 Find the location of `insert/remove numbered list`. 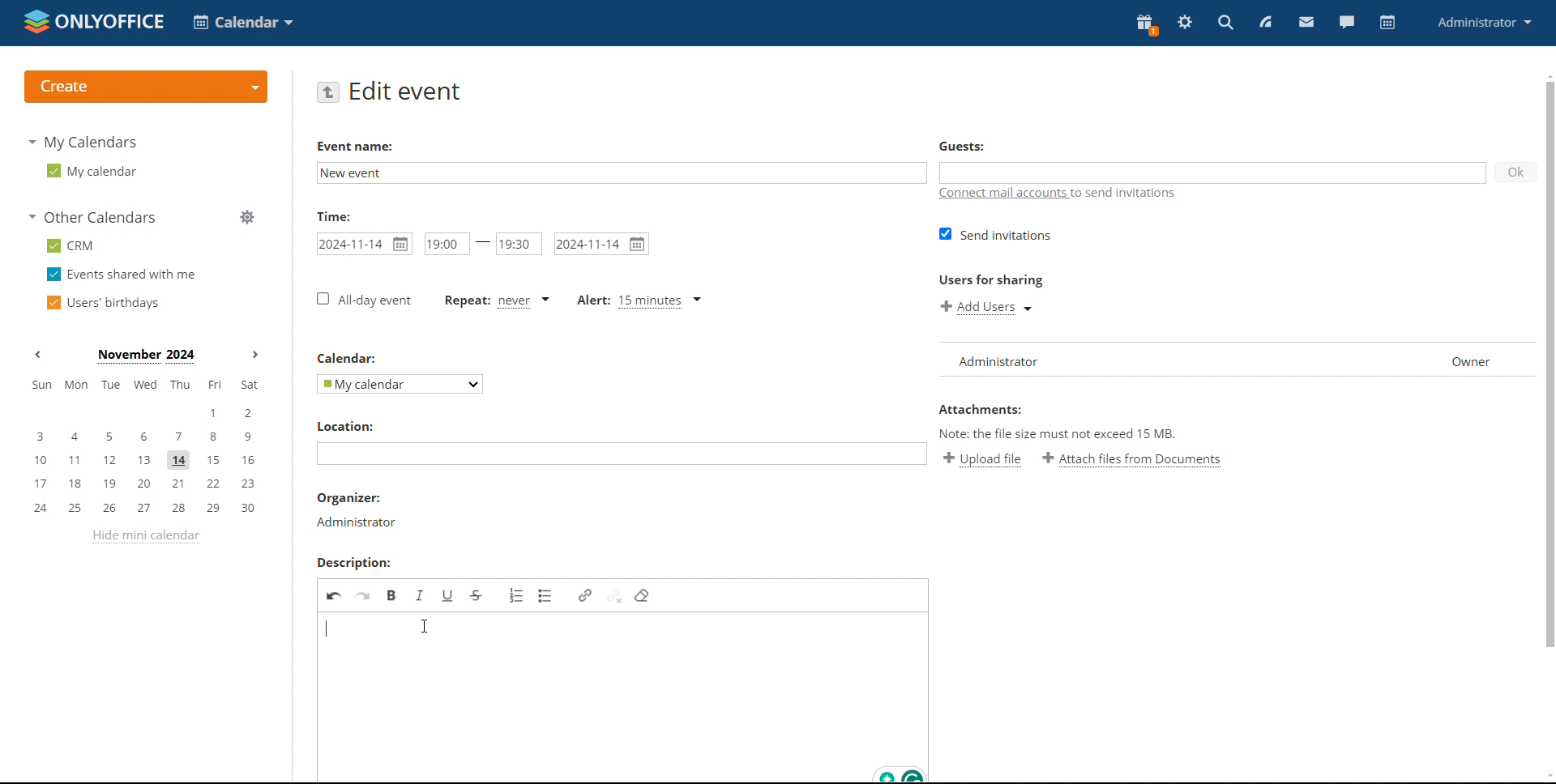

insert/remove numbered list is located at coordinates (516, 594).